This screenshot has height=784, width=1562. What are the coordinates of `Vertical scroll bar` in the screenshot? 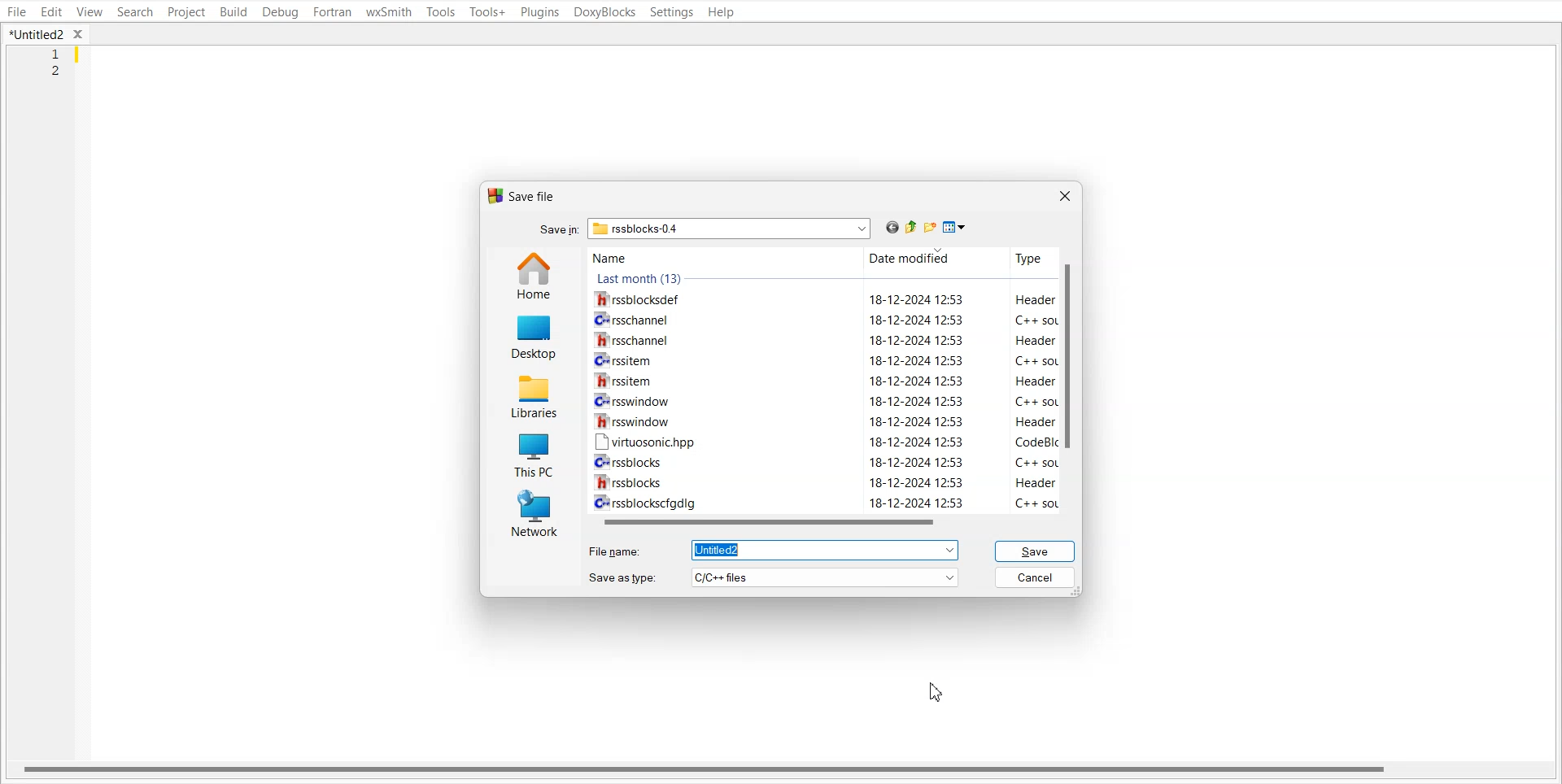 It's located at (1068, 381).